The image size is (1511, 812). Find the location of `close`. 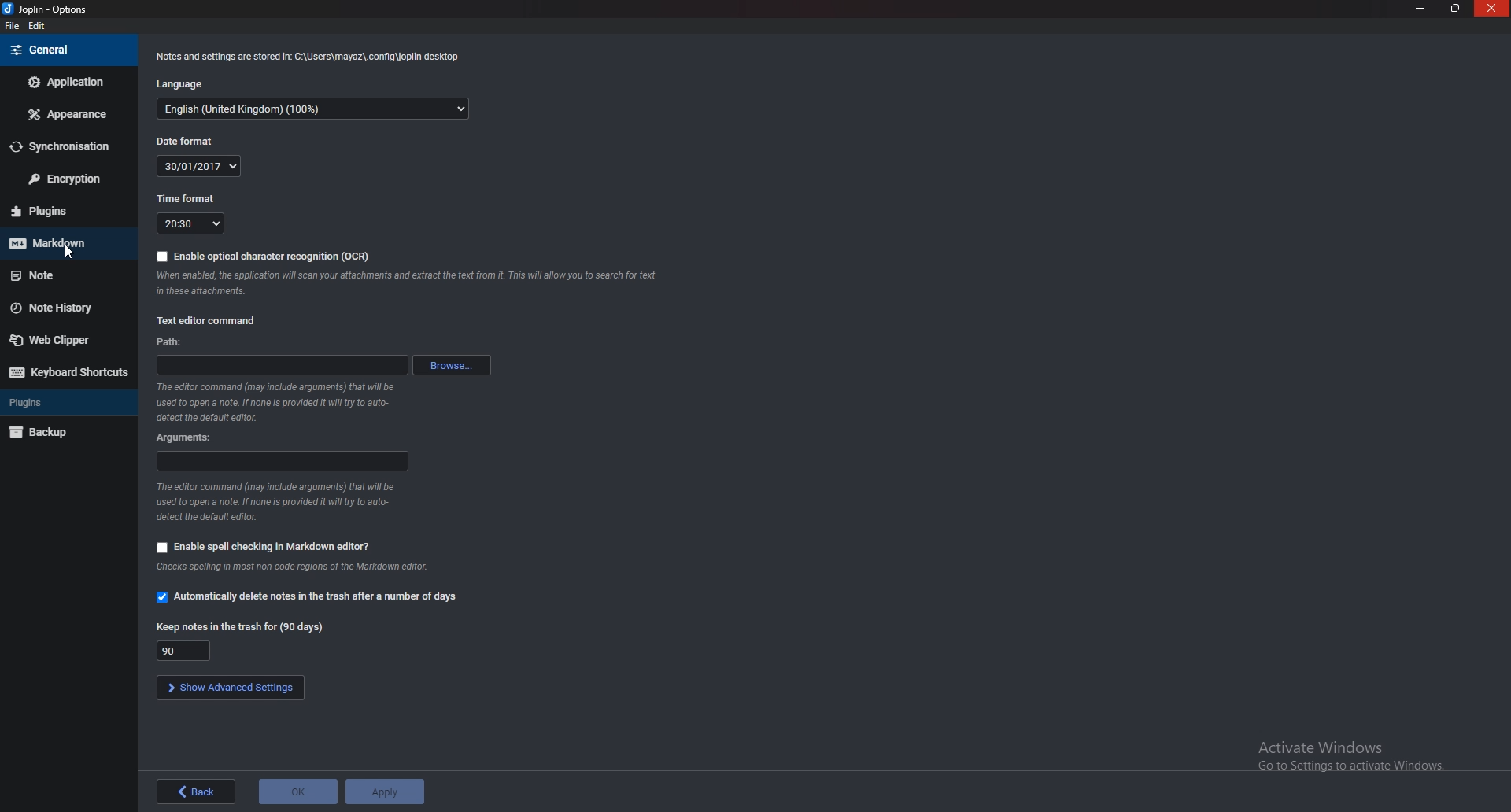

close is located at coordinates (1492, 9).